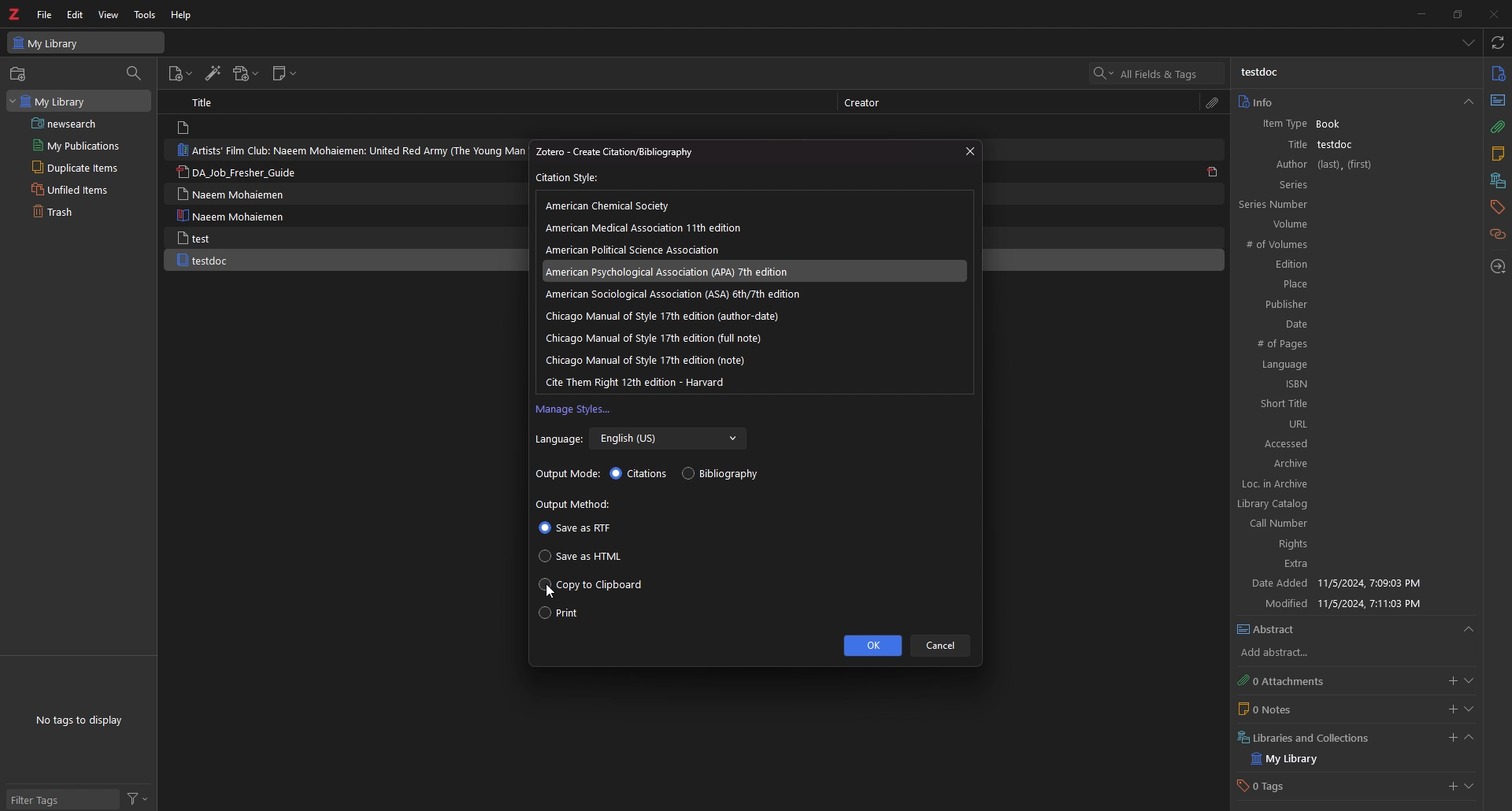 The height and width of the screenshot is (811, 1512). I want to click on Date Added 11/5/2024, 7:09:03 PM, so click(1348, 584).